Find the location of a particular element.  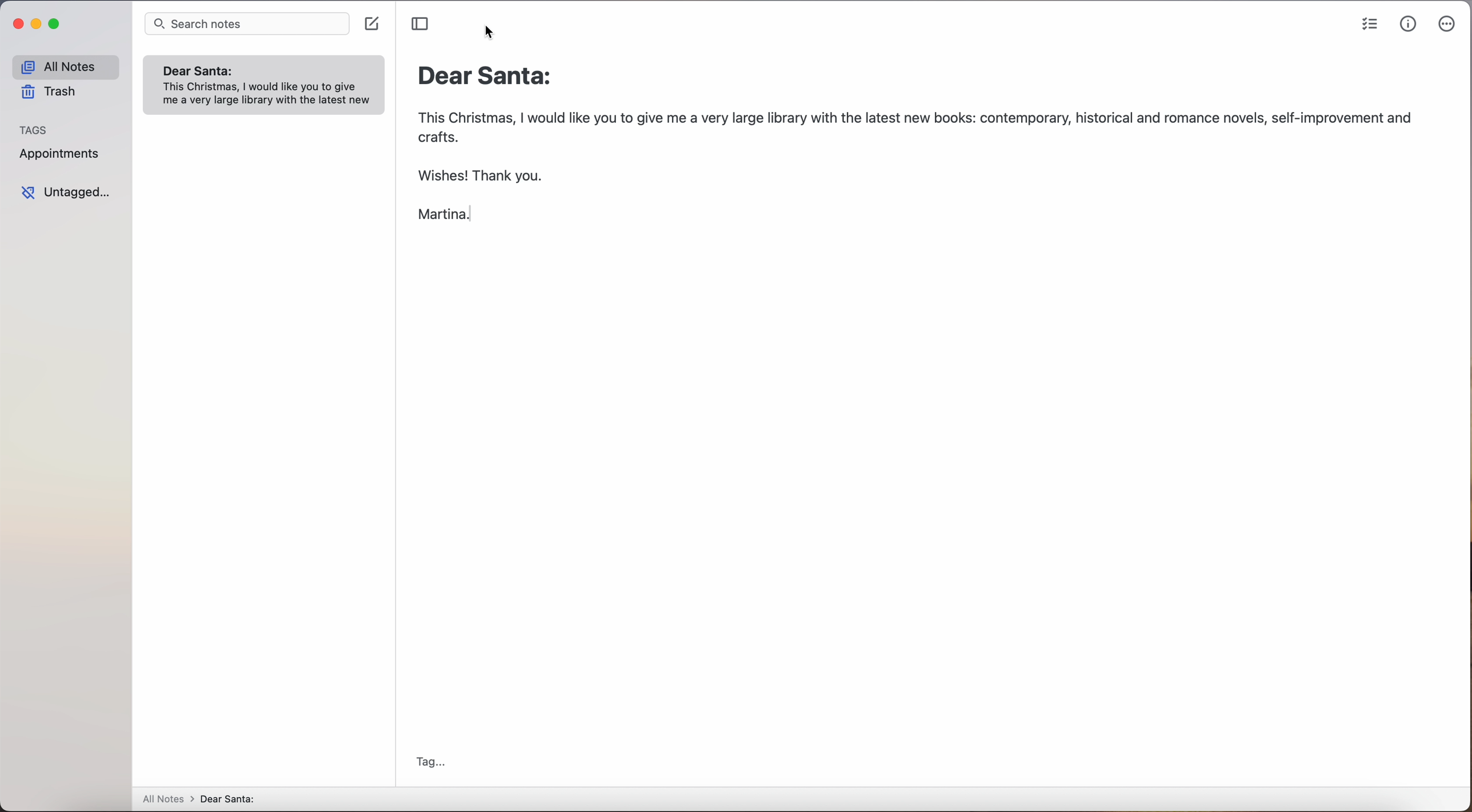

close app is located at coordinates (17, 26).